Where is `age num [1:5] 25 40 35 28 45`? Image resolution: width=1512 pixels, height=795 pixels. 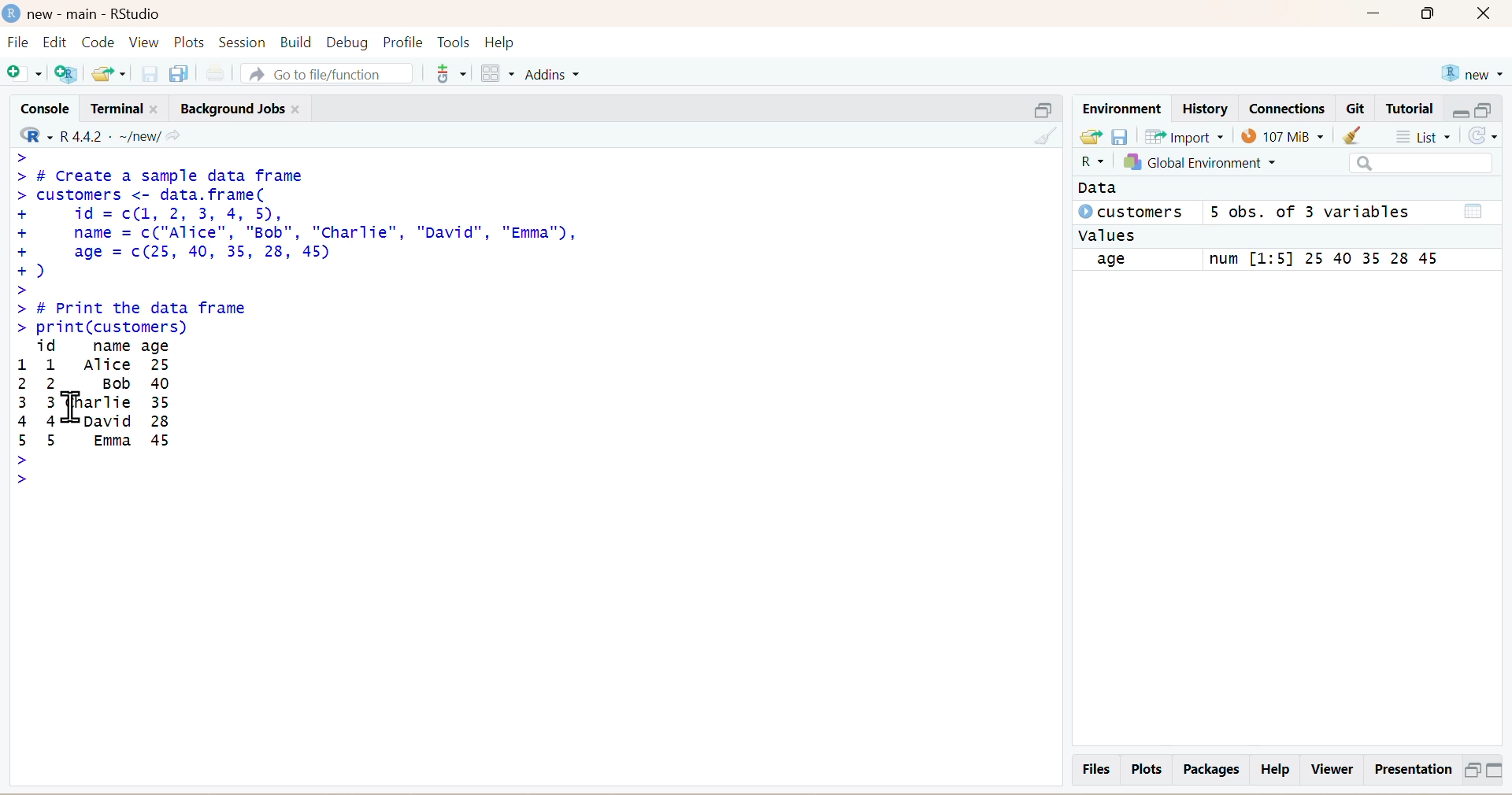 age num [1:5] 25 40 35 28 45 is located at coordinates (1277, 260).